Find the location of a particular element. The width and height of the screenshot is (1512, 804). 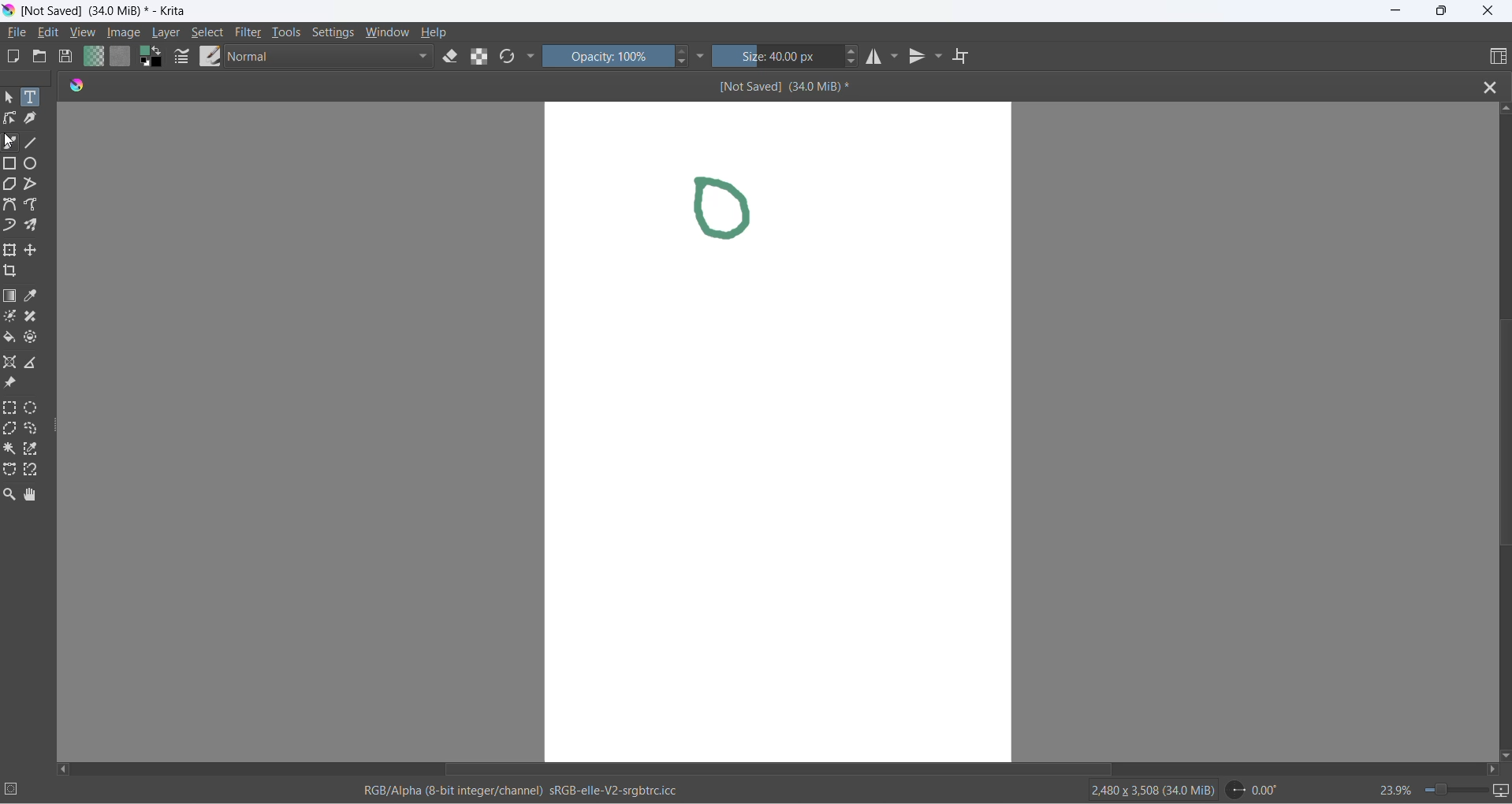

minimize is located at coordinates (1396, 10).